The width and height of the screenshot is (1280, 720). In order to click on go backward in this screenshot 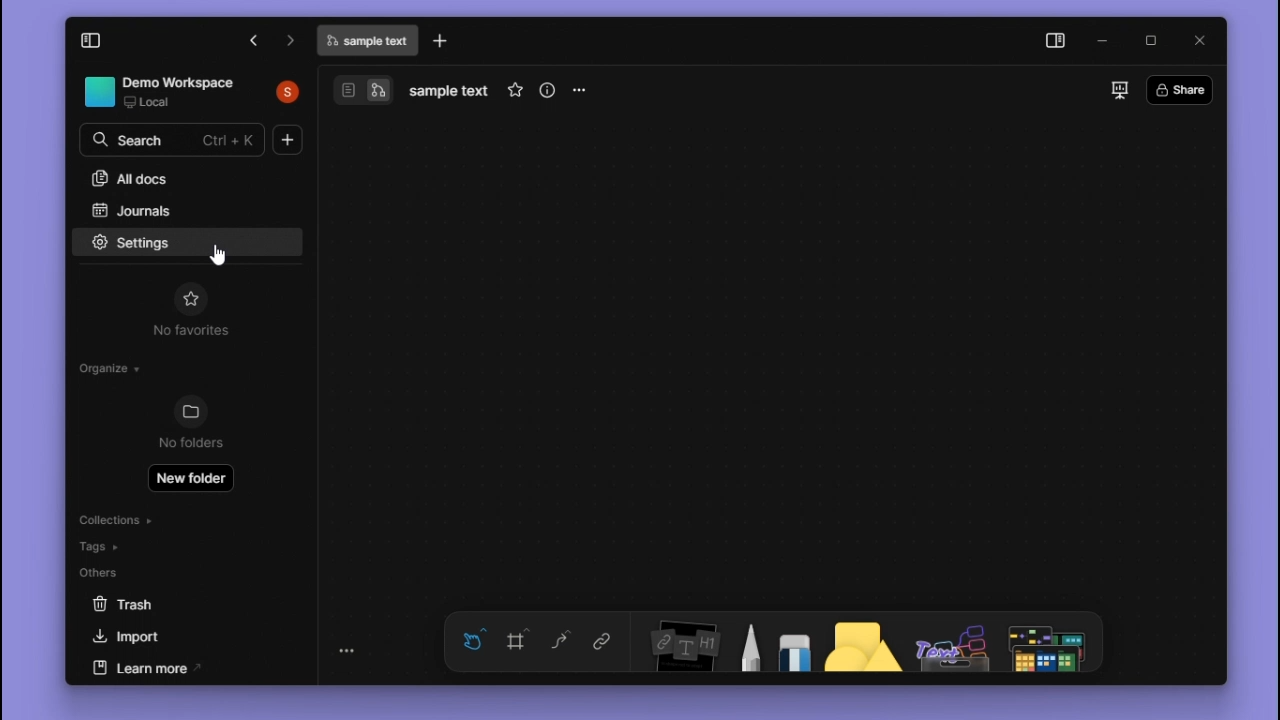, I will do `click(293, 43)`.